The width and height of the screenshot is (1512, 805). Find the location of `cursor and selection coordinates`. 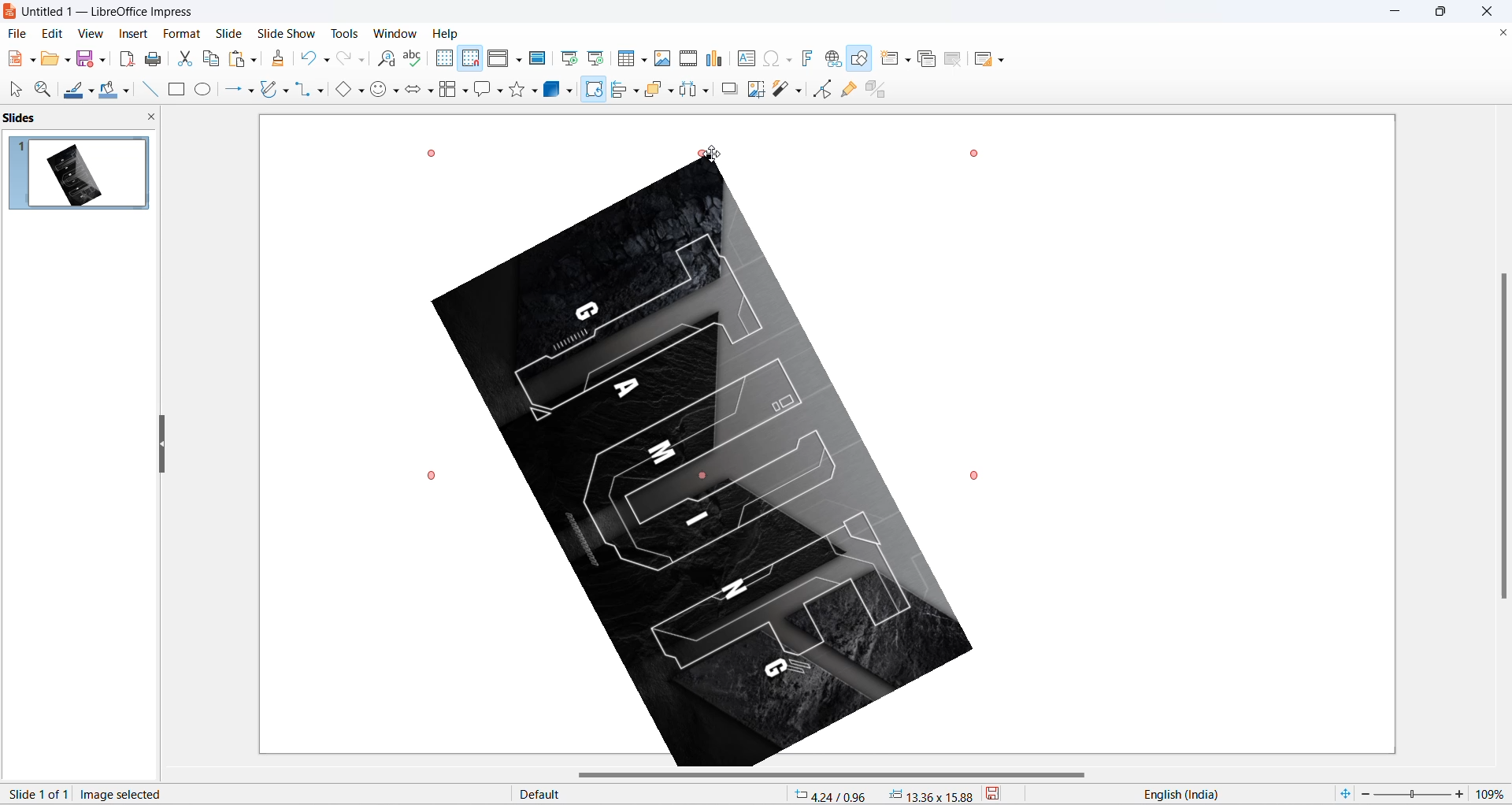

cursor and selection coordinates is located at coordinates (884, 795).